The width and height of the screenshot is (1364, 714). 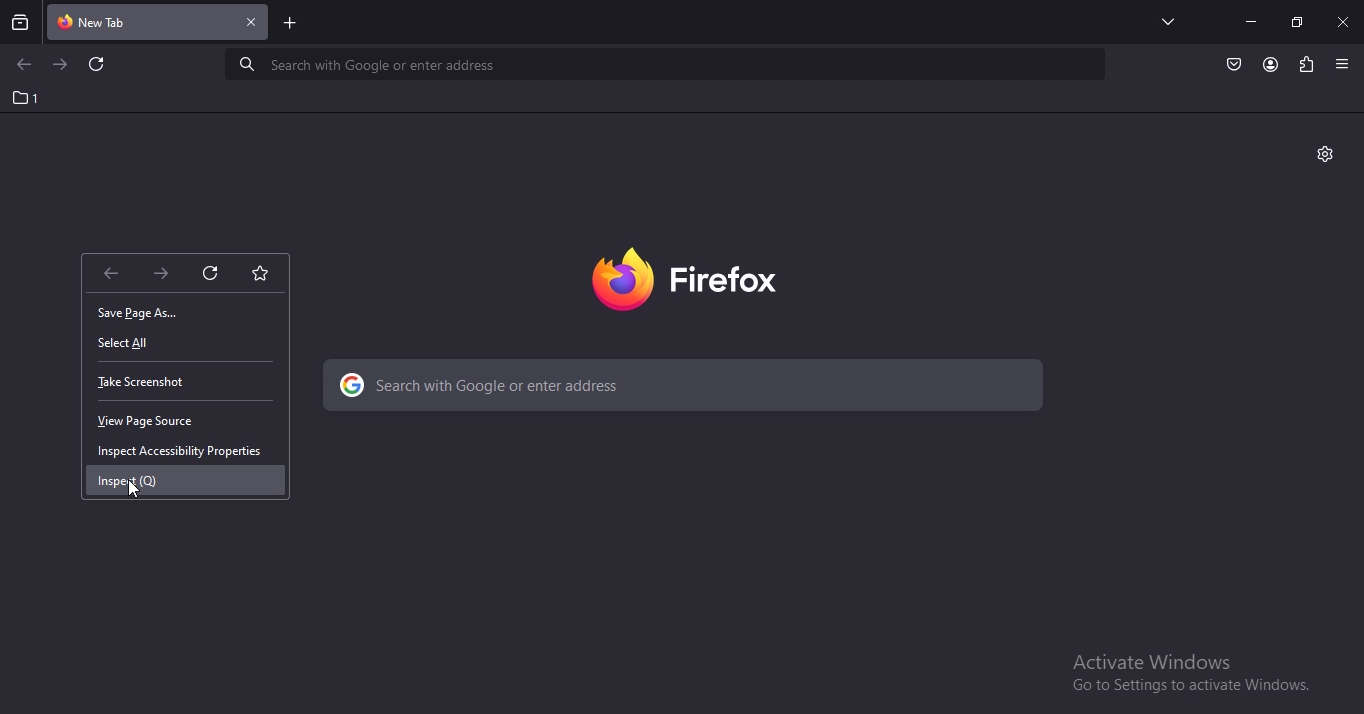 What do you see at coordinates (1296, 21) in the screenshot?
I see `restore tab` at bounding box center [1296, 21].